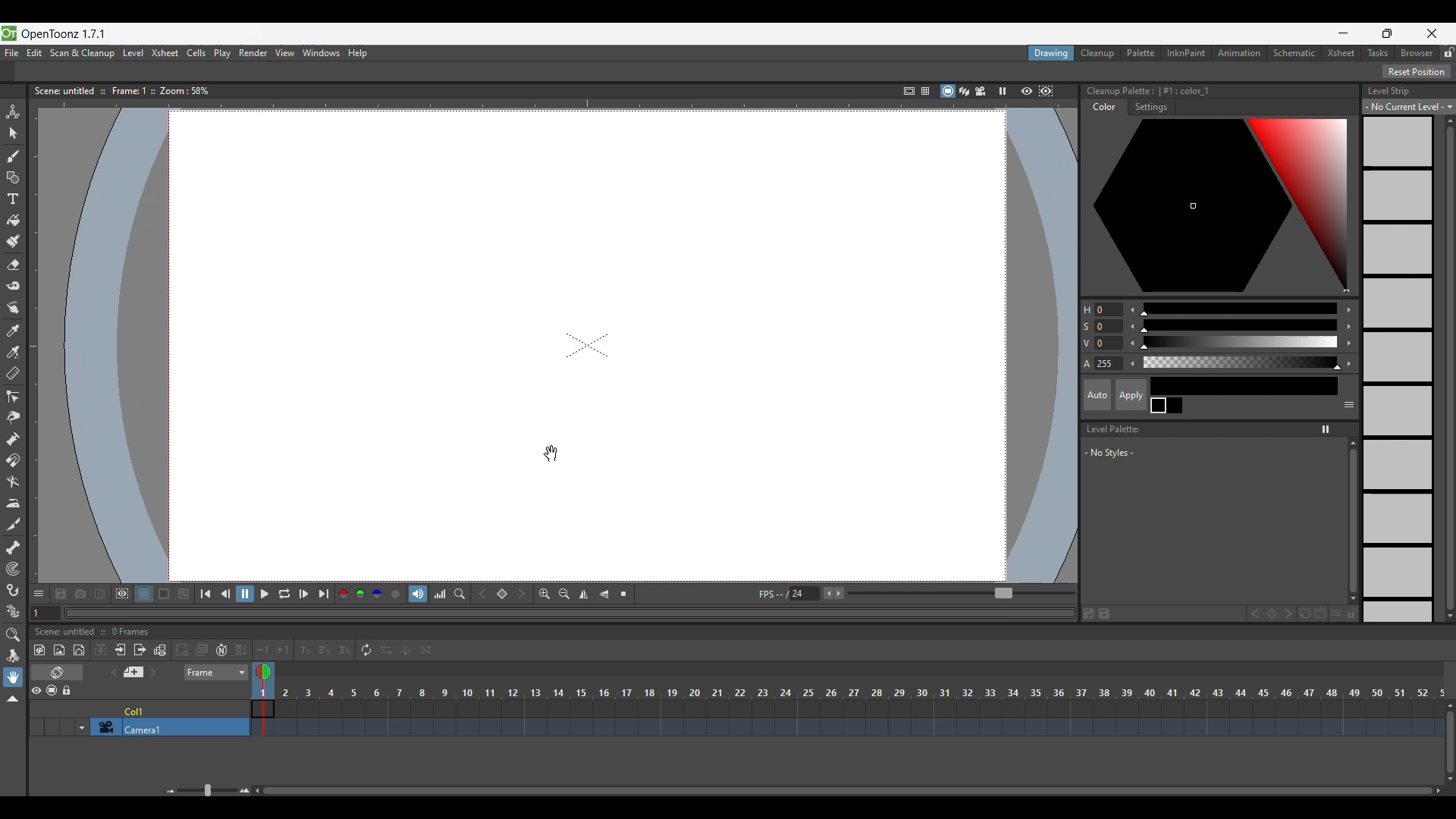  What do you see at coordinates (1349, 337) in the screenshot?
I see `Increase color modification` at bounding box center [1349, 337].